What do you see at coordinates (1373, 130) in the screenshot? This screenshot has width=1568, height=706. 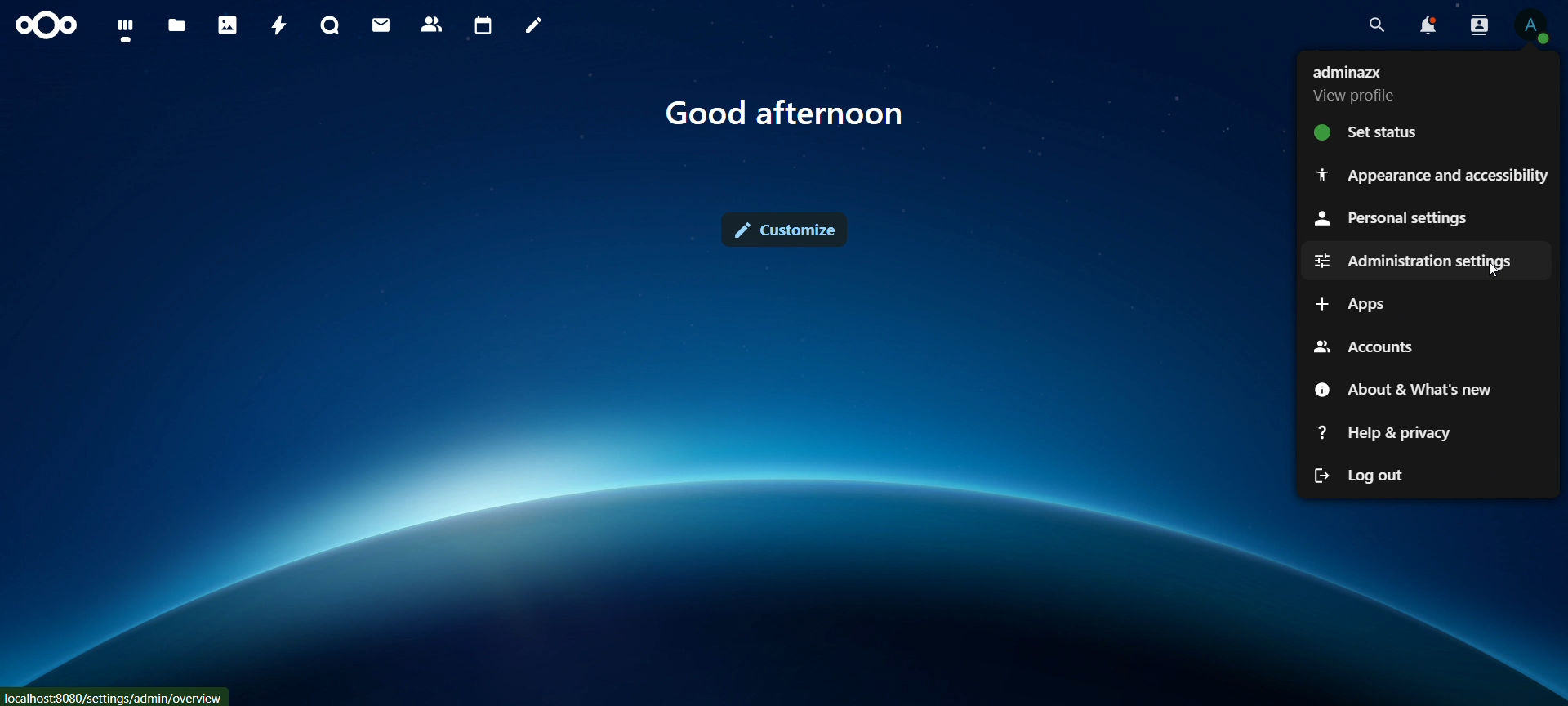 I see `set status` at bounding box center [1373, 130].